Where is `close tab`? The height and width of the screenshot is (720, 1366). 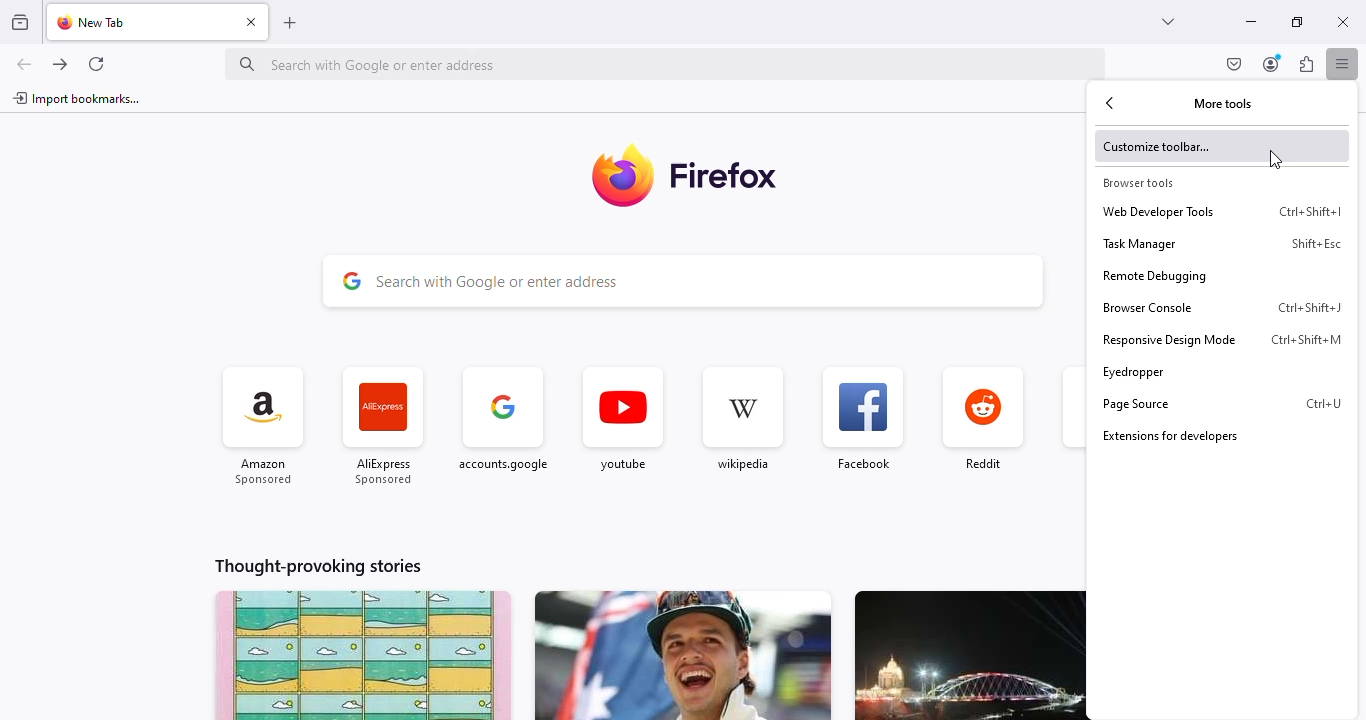
close tab is located at coordinates (252, 21).